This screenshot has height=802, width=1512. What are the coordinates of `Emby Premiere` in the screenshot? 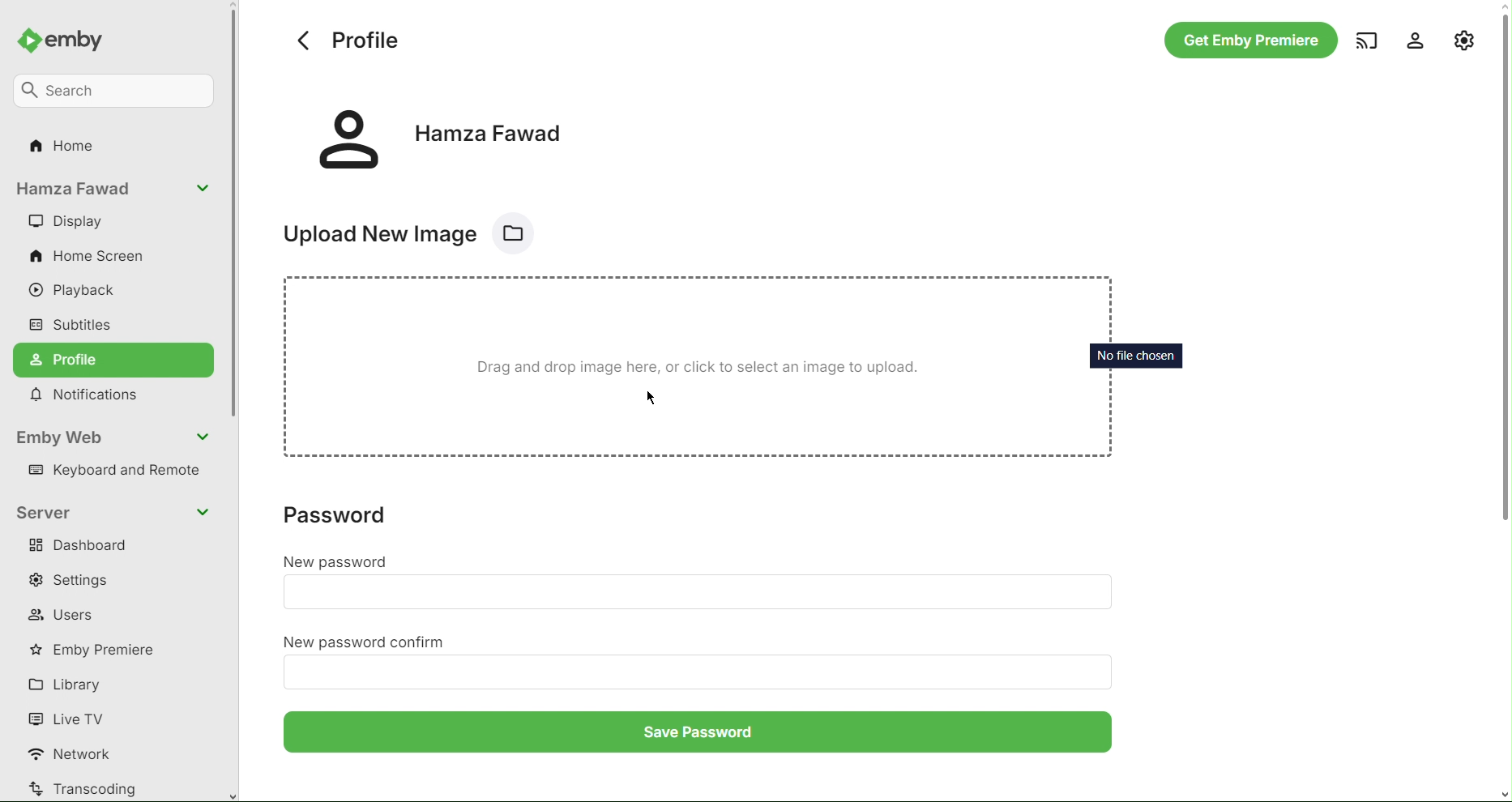 It's located at (99, 649).